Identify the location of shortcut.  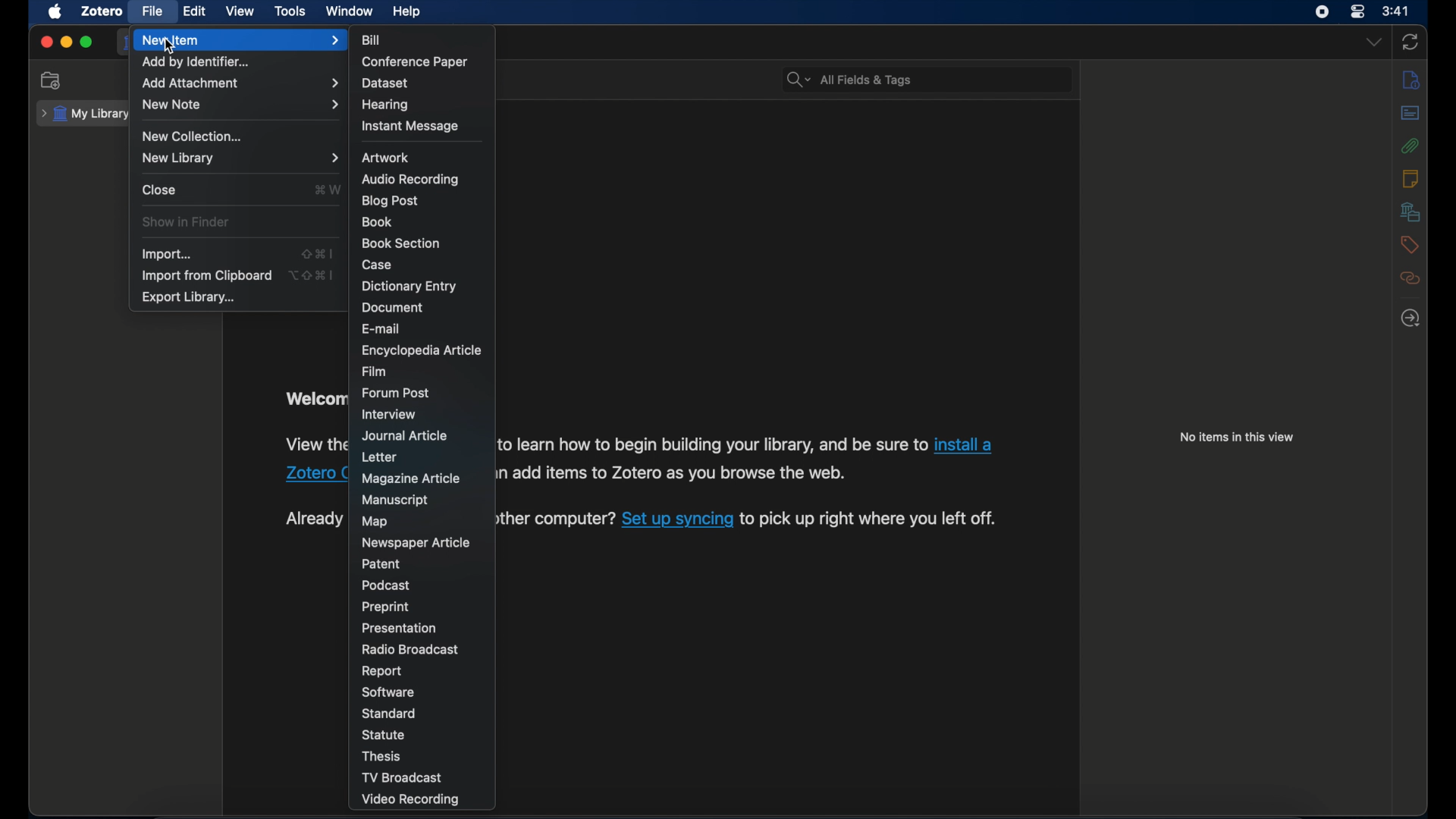
(313, 275).